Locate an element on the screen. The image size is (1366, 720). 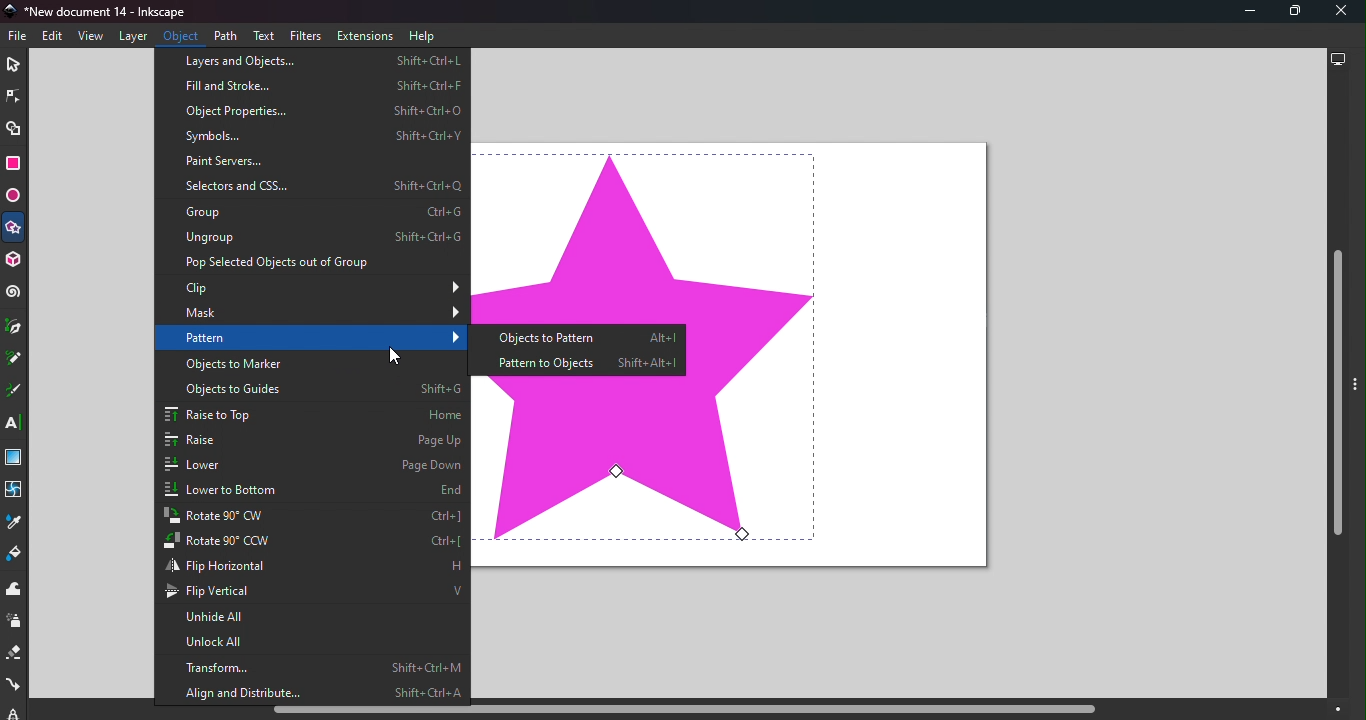
Cursor is located at coordinates (394, 362).